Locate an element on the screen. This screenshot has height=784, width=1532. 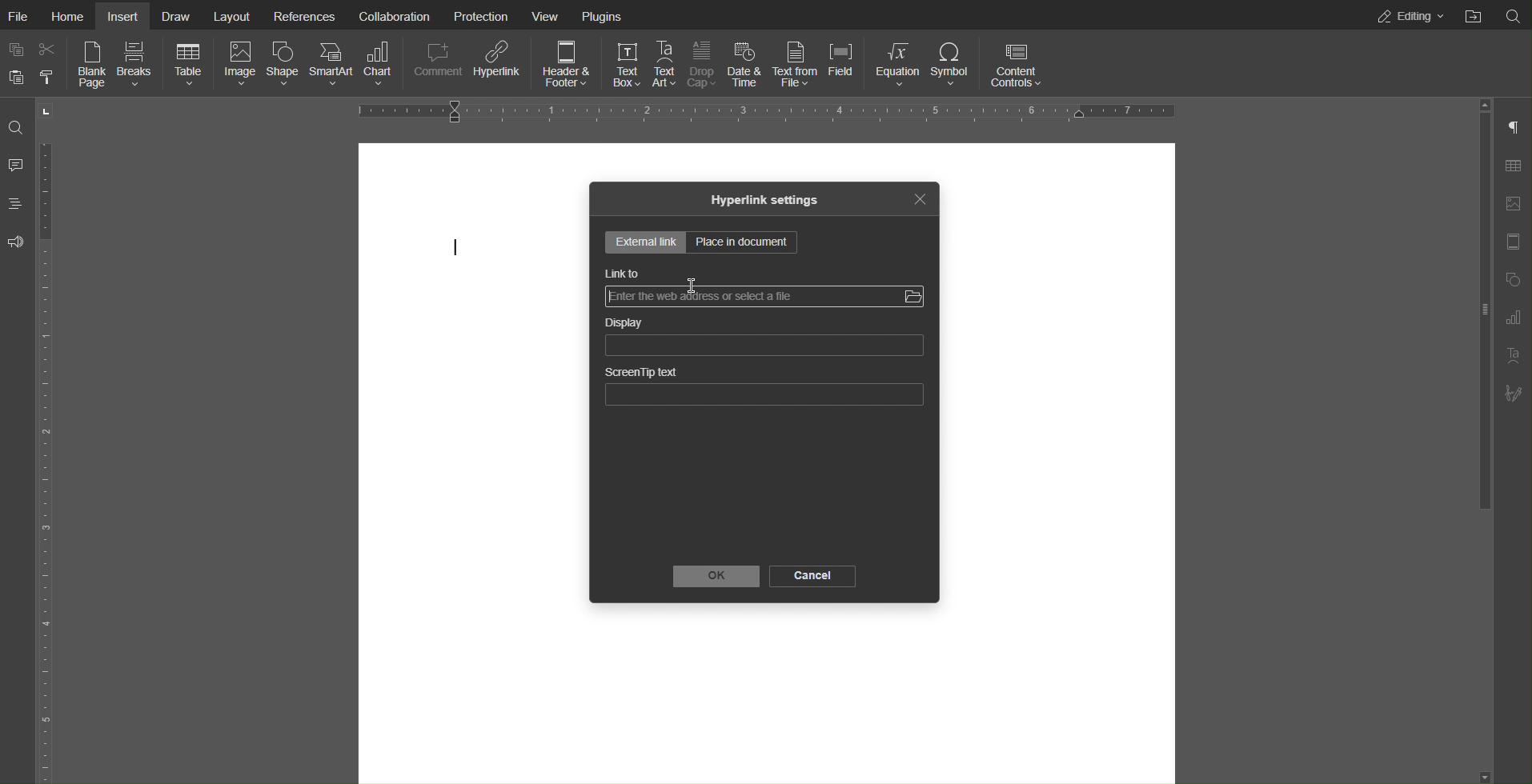
cursor is located at coordinates (456, 246).